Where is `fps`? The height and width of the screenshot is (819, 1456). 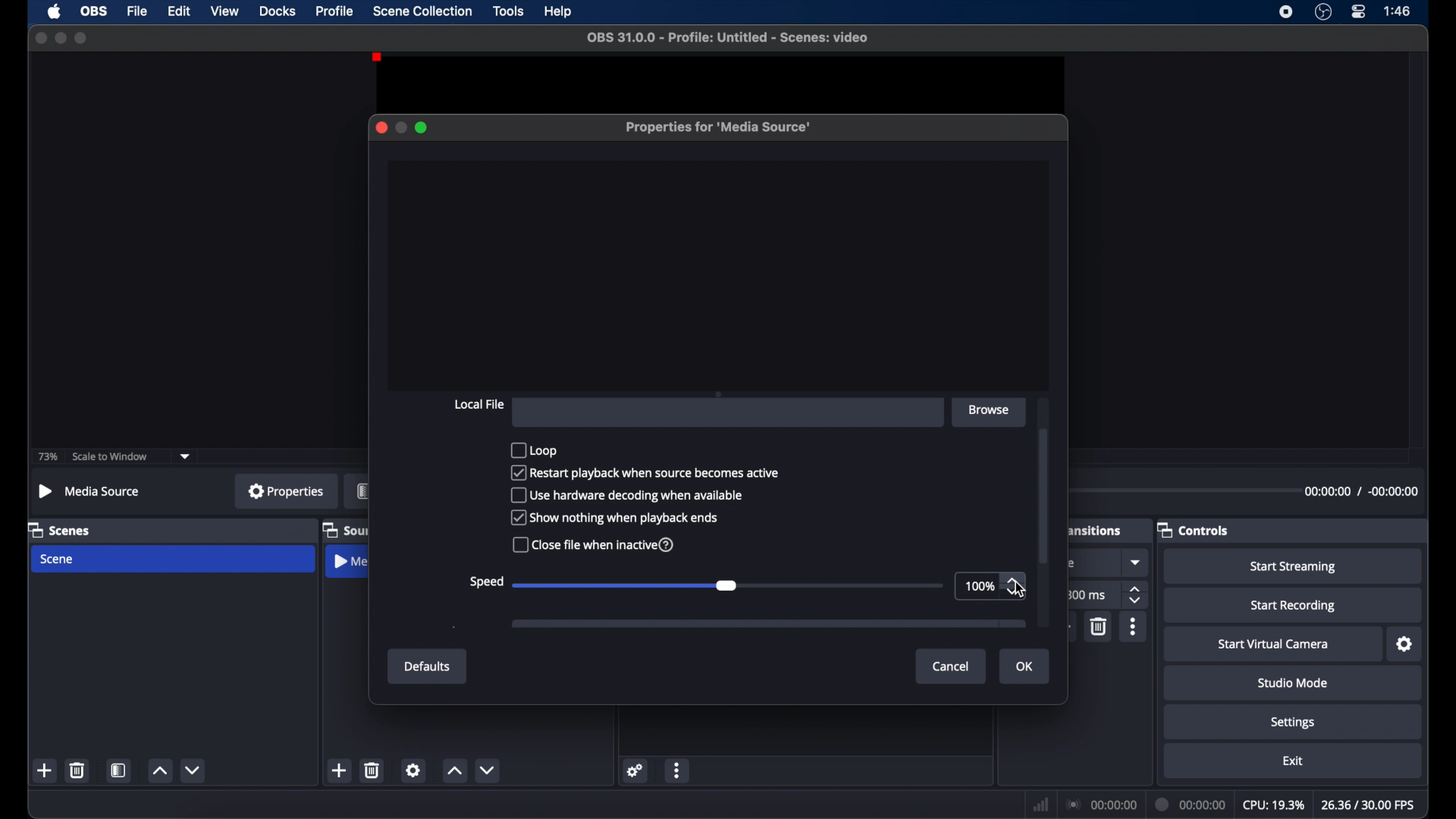
fps is located at coordinates (1370, 805).